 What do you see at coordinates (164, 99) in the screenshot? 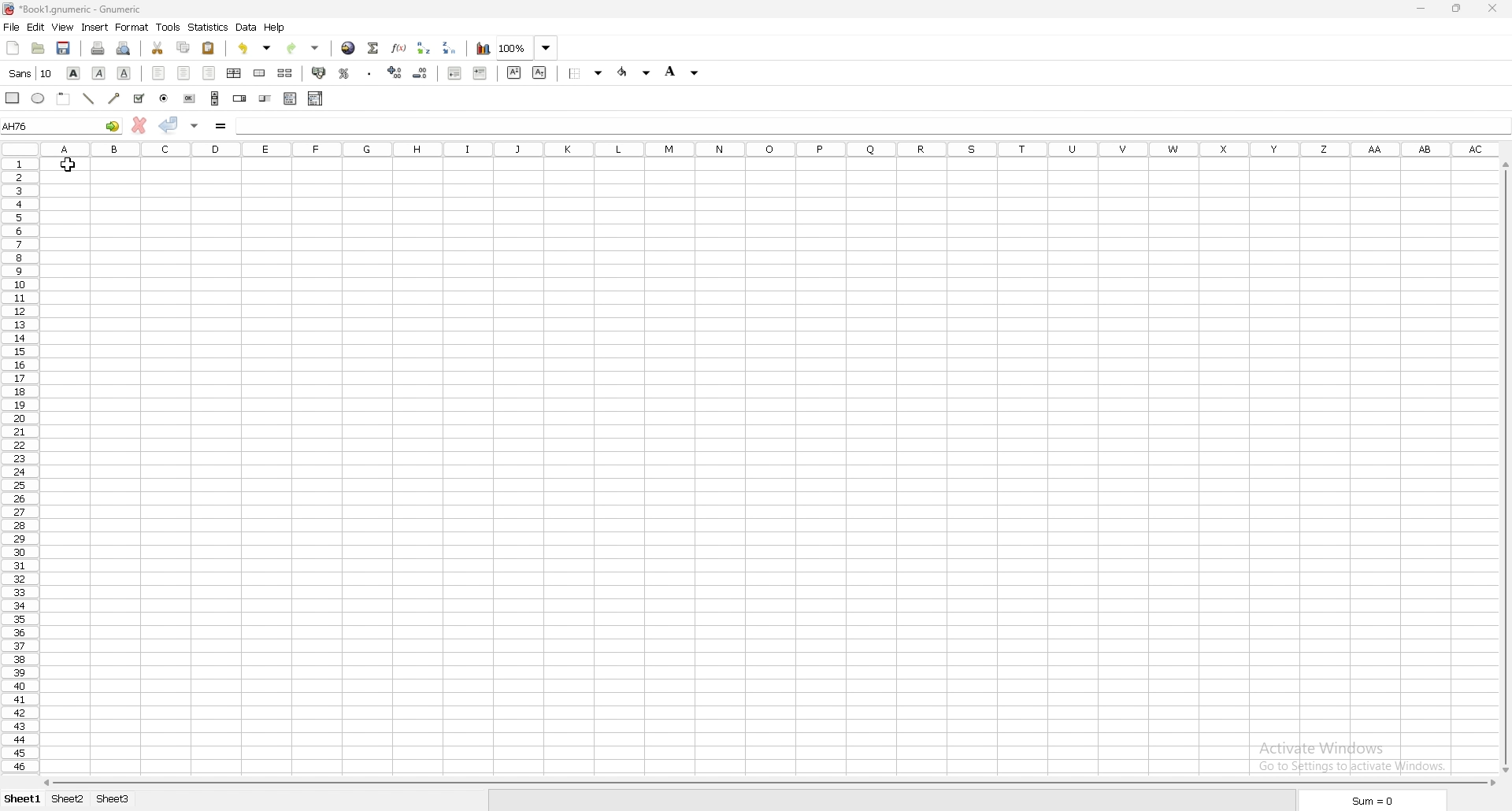
I see `radio button` at bounding box center [164, 99].